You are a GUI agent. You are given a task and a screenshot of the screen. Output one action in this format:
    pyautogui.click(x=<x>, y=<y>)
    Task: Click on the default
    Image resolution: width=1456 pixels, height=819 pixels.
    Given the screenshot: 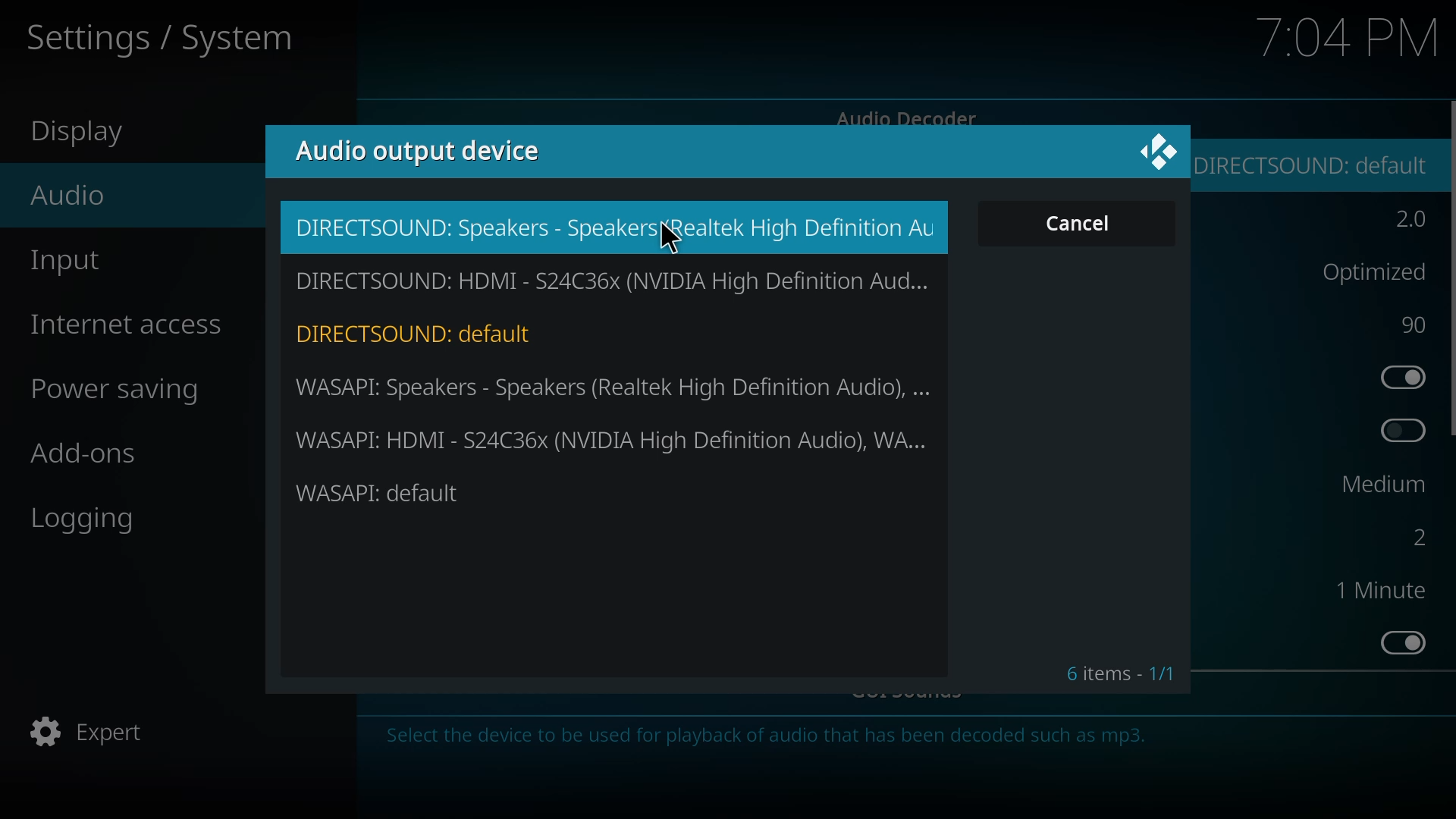 What is the action you would take?
    pyautogui.click(x=421, y=331)
    